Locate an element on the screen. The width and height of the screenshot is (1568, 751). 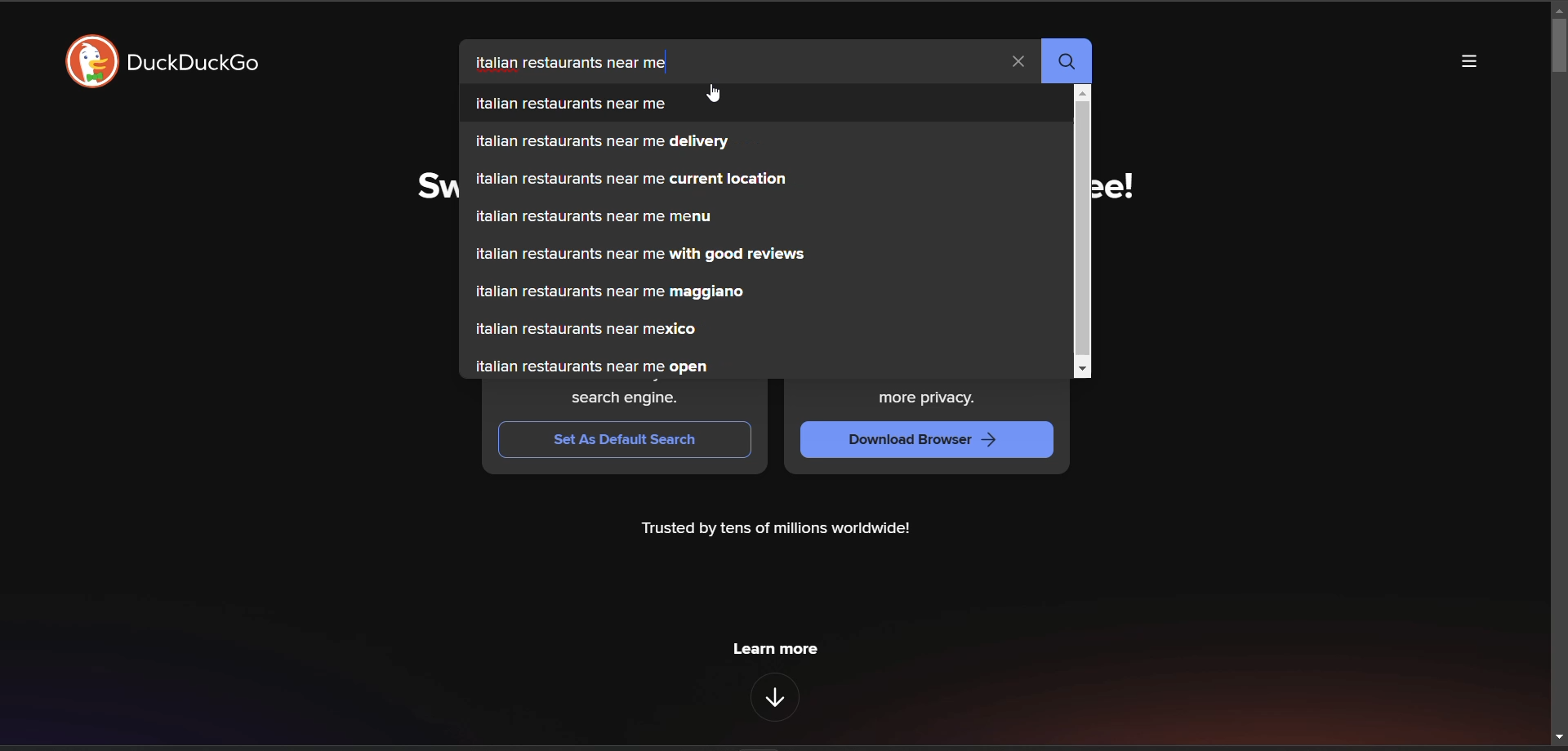
Cursor is located at coordinates (713, 93).